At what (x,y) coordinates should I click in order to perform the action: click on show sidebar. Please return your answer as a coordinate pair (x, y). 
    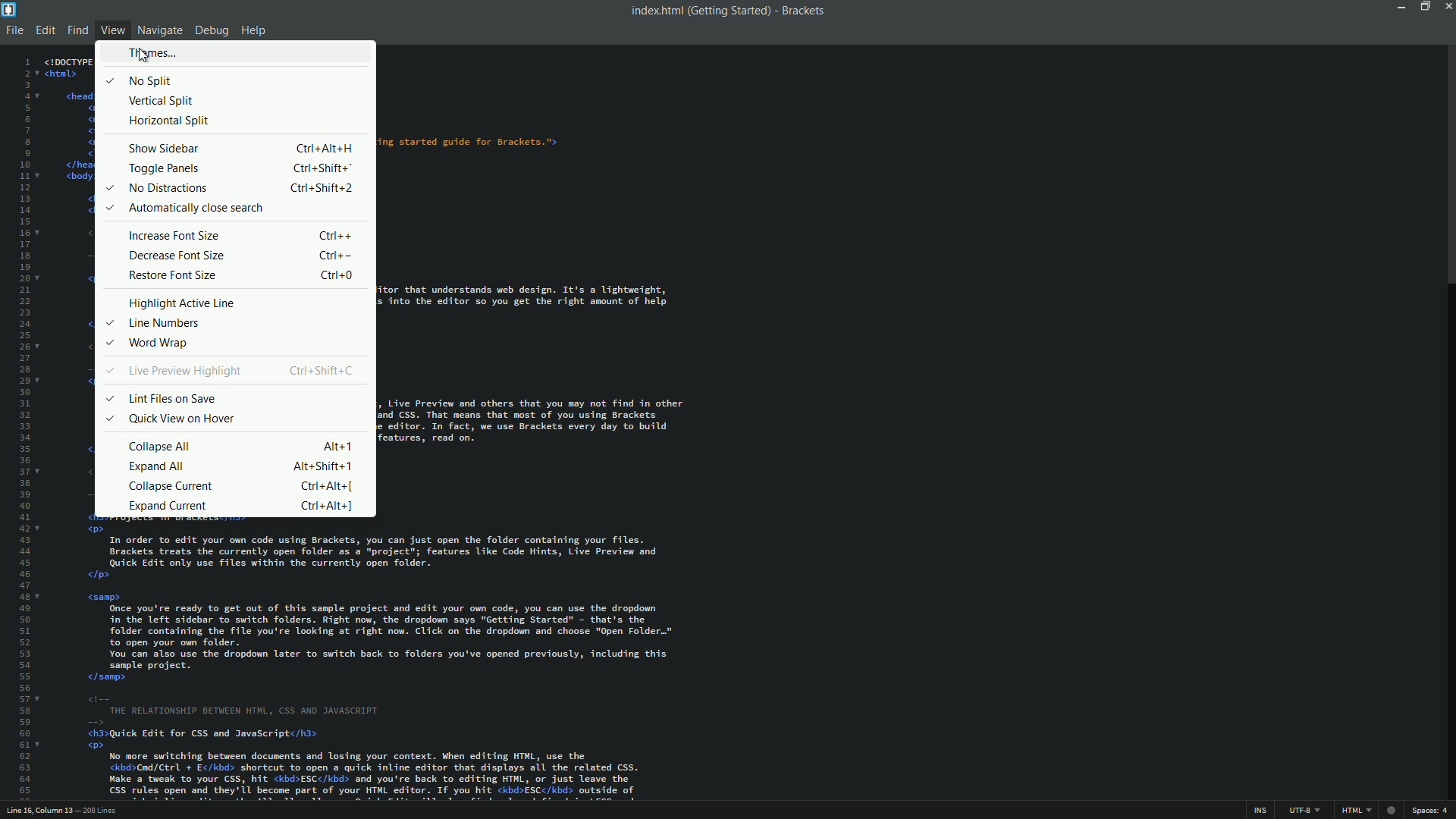
    Looking at the image, I should click on (165, 149).